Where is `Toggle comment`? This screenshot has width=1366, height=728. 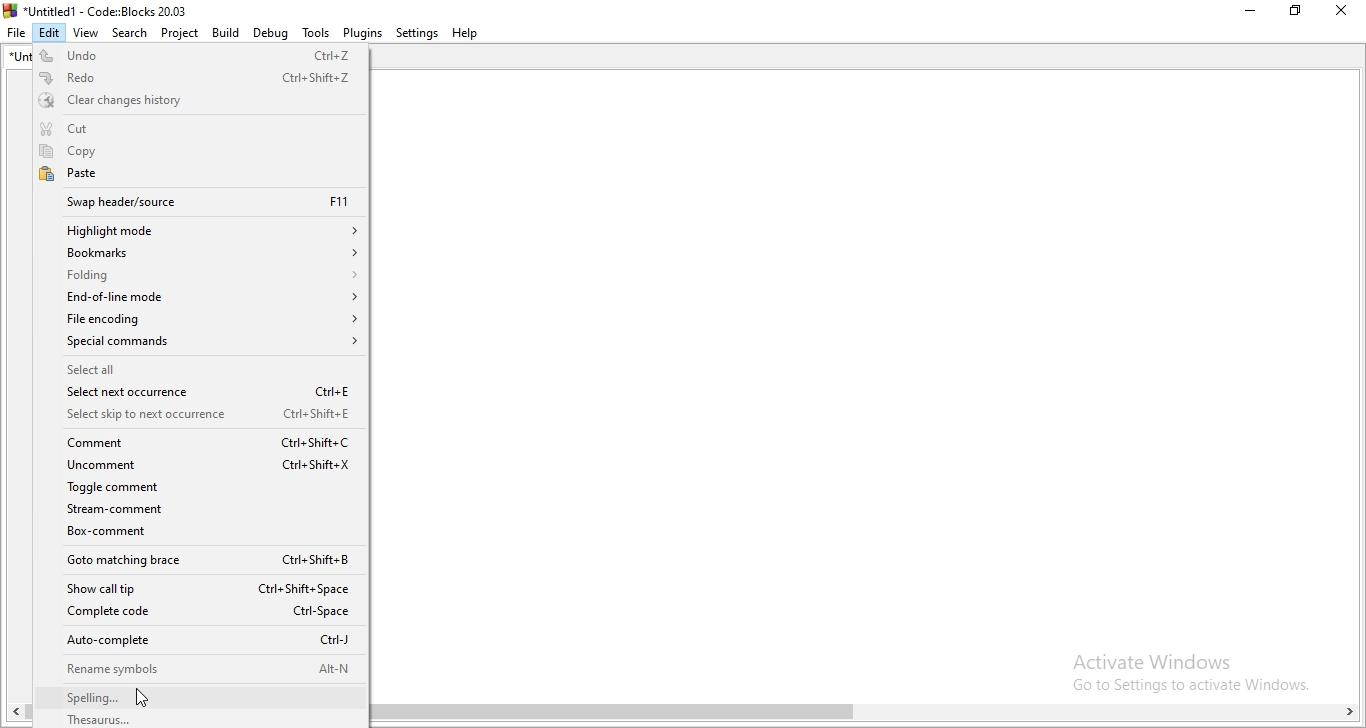 Toggle comment is located at coordinates (204, 489).